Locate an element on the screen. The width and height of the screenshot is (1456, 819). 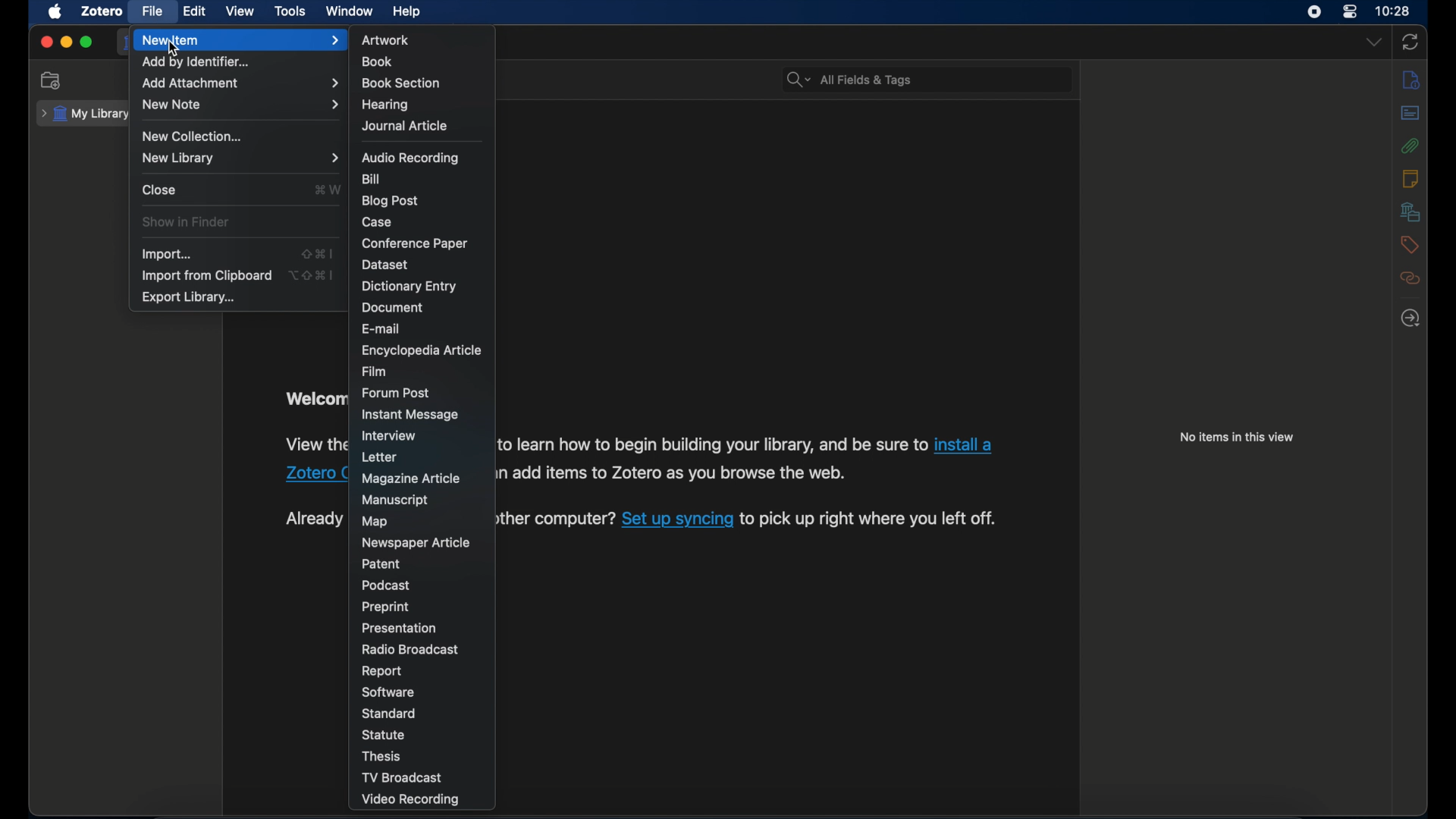
radio broadcast is located at coordinates (409, 649).